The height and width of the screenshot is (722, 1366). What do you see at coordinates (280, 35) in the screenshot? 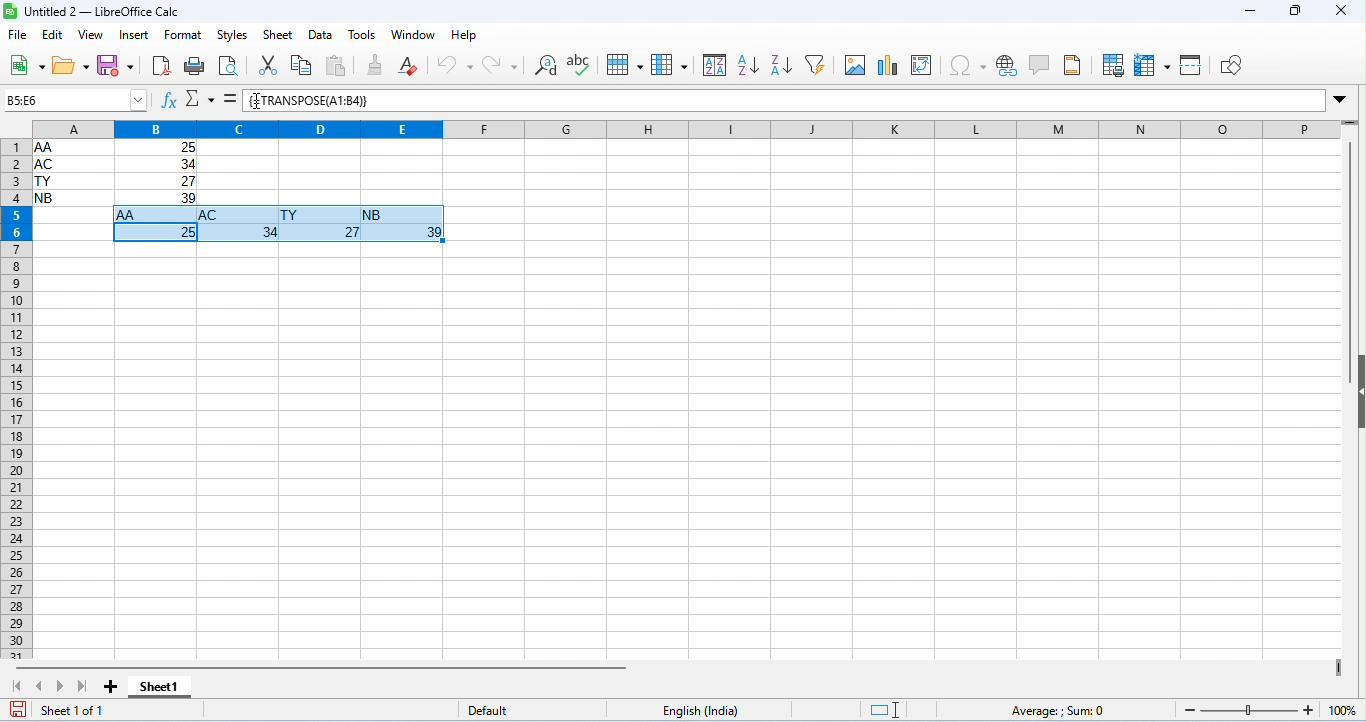
I see `sheet` at bounding box center [280, 35].